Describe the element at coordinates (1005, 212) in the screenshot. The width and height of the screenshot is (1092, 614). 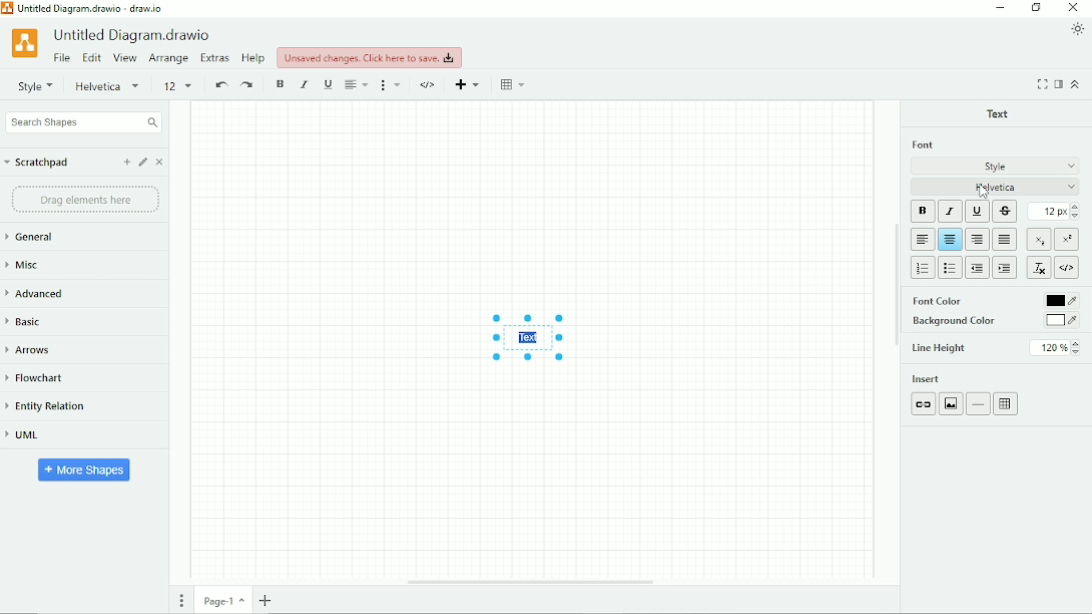
I see `Strikethrough` at that location.